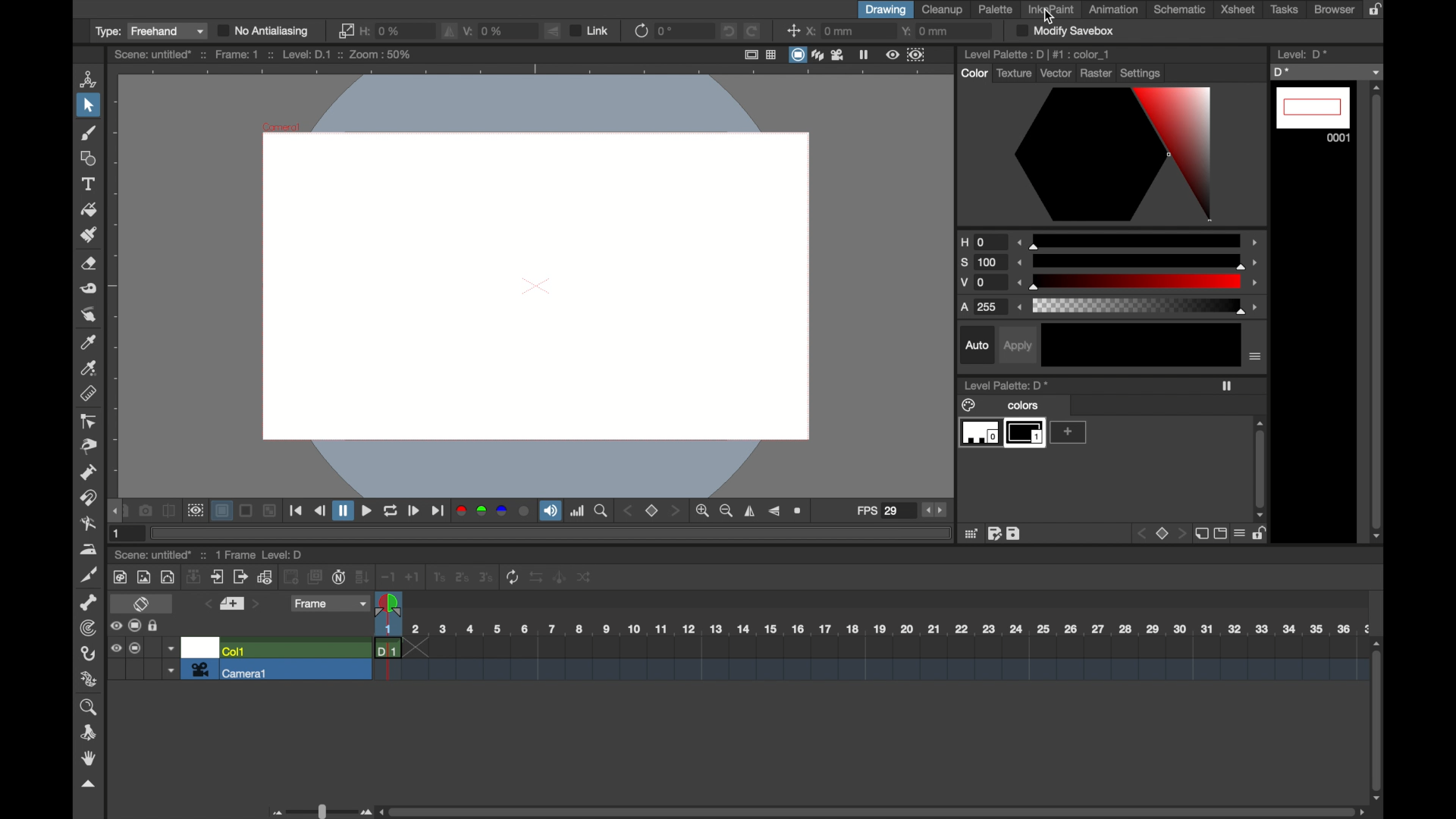 This screenshot has width=1456, height=819. Describe the element at coordinates (414, 511) in the screenshot. I see `next frame` at that location.